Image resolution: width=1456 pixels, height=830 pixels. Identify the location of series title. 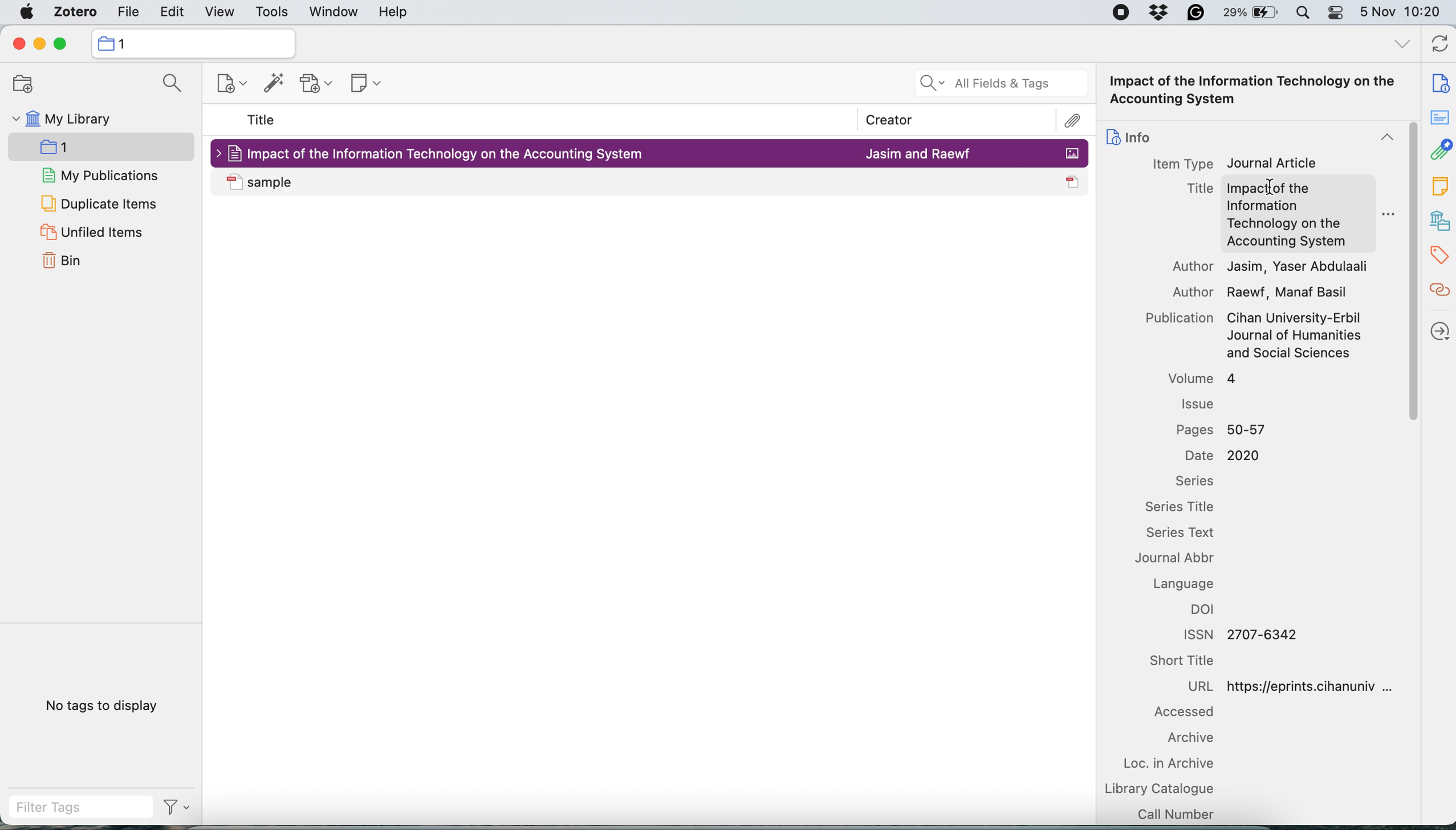
(1183, 508).